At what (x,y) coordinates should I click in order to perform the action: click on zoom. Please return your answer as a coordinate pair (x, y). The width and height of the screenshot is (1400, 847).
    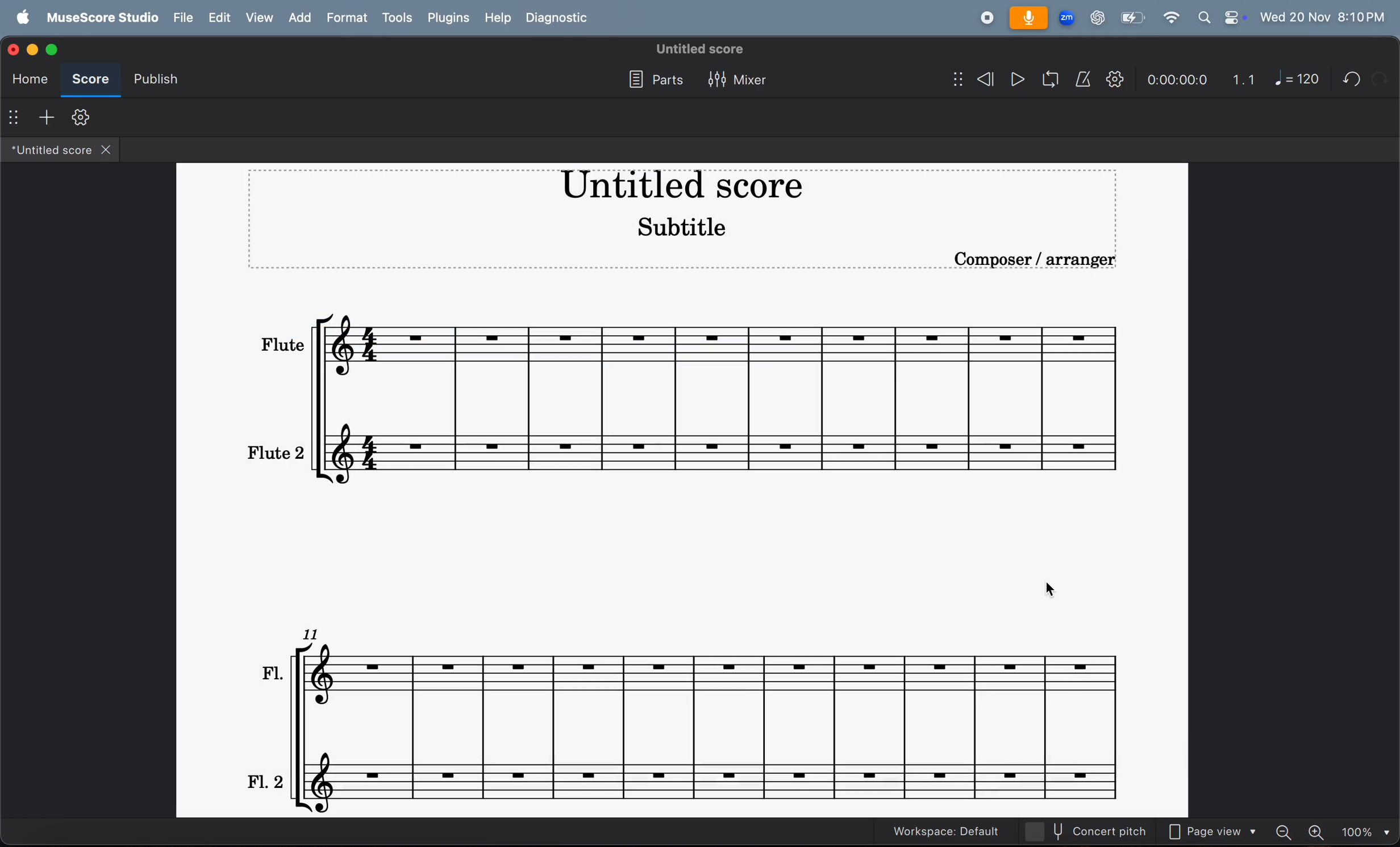
    Looking at the image, I should click on (1067, 17).